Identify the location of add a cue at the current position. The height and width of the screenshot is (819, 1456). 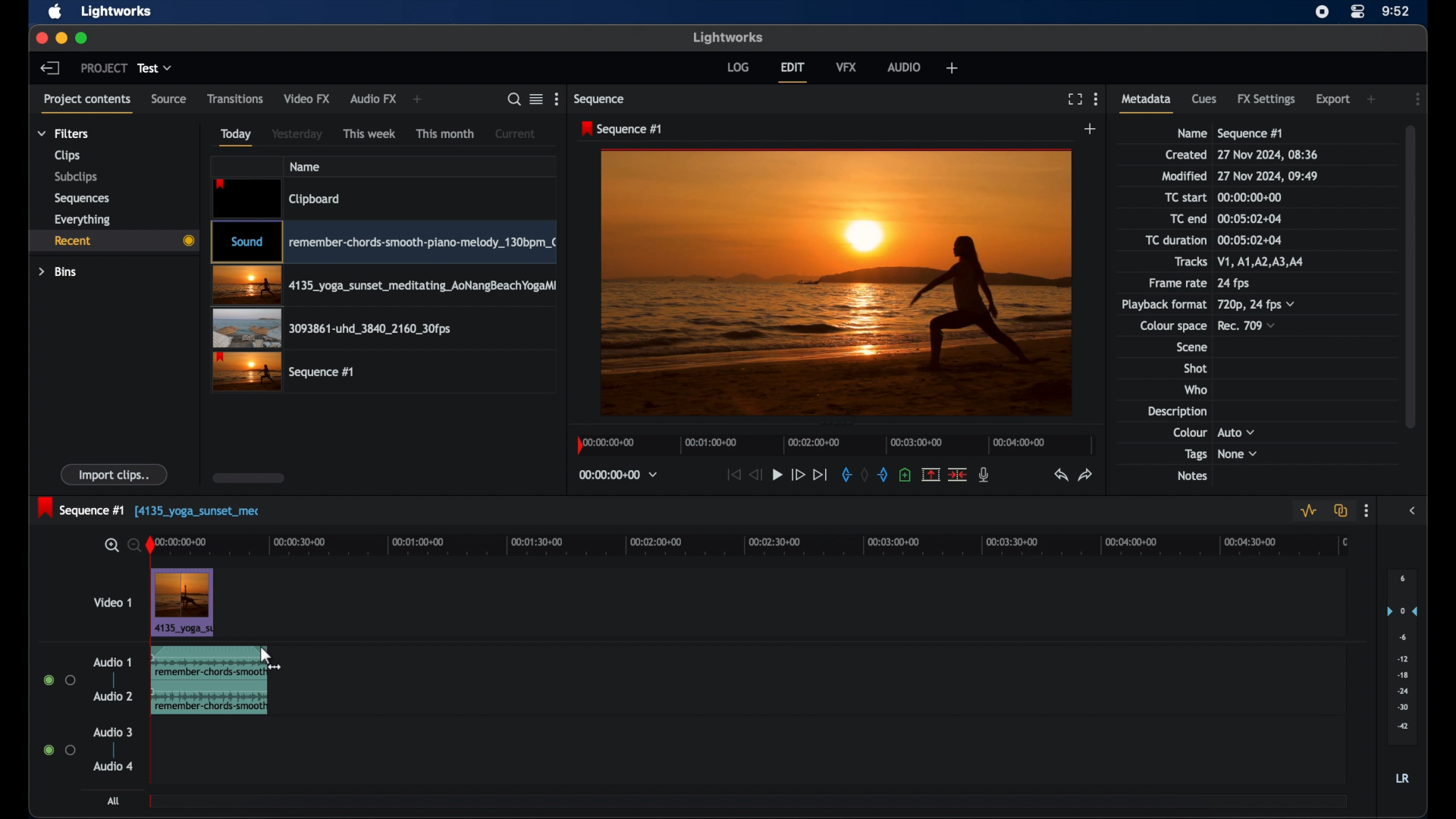
(905, 475).